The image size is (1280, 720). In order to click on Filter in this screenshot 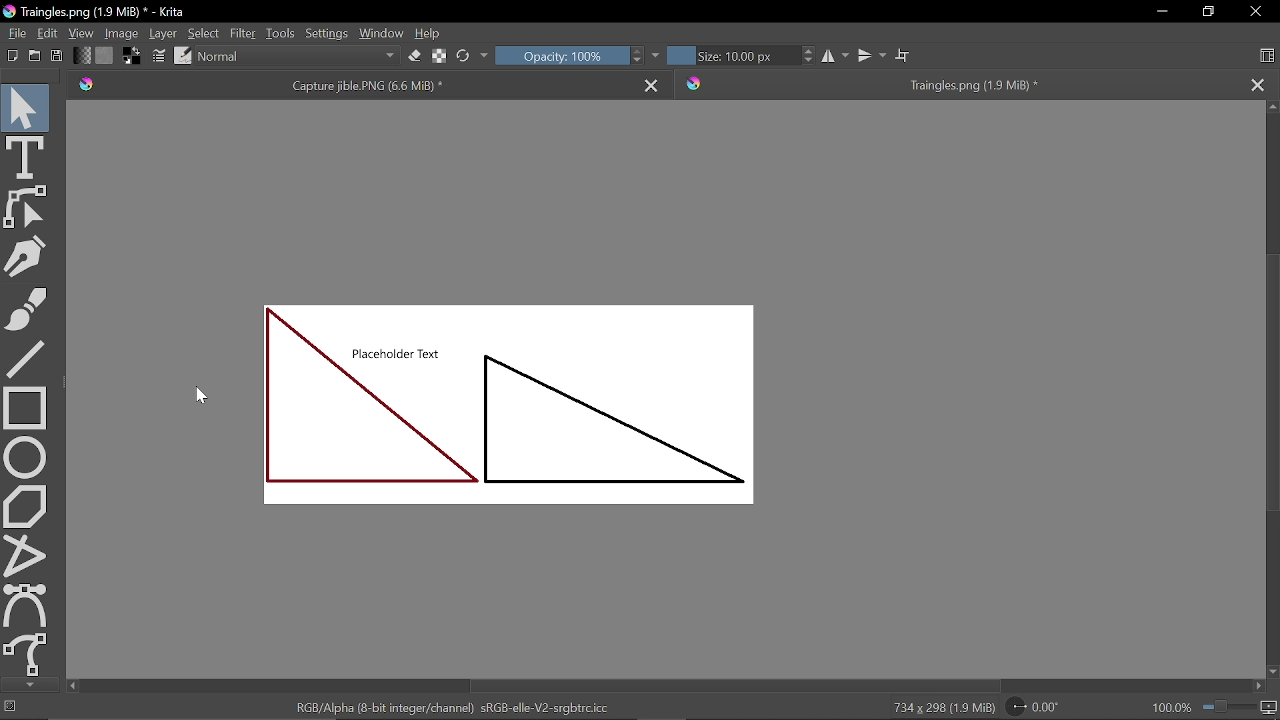, I will do `click(243, 34)`.